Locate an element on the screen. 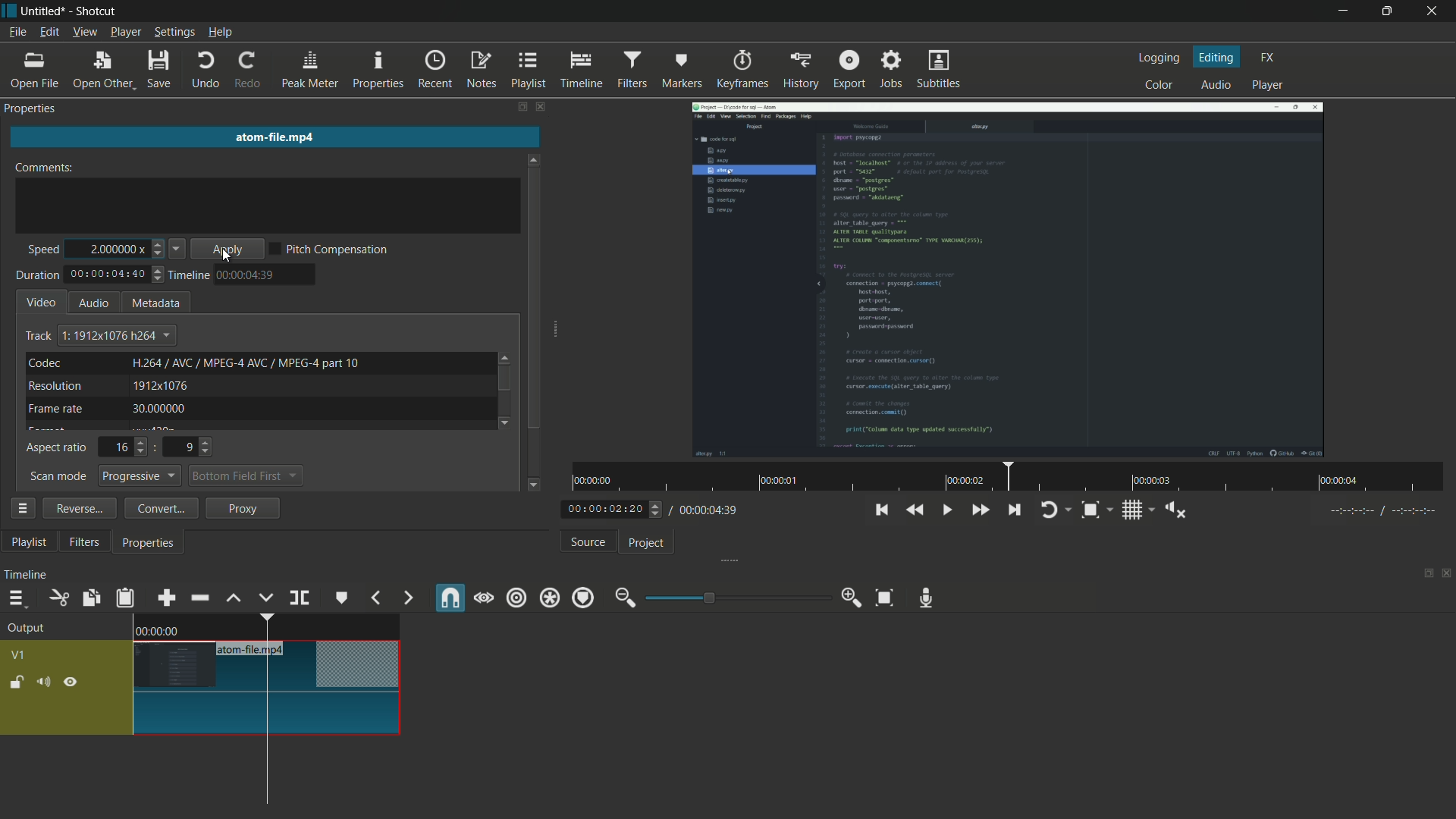 This screenshot has width=1456, height=819. redo is located at coordinates (249, 70).